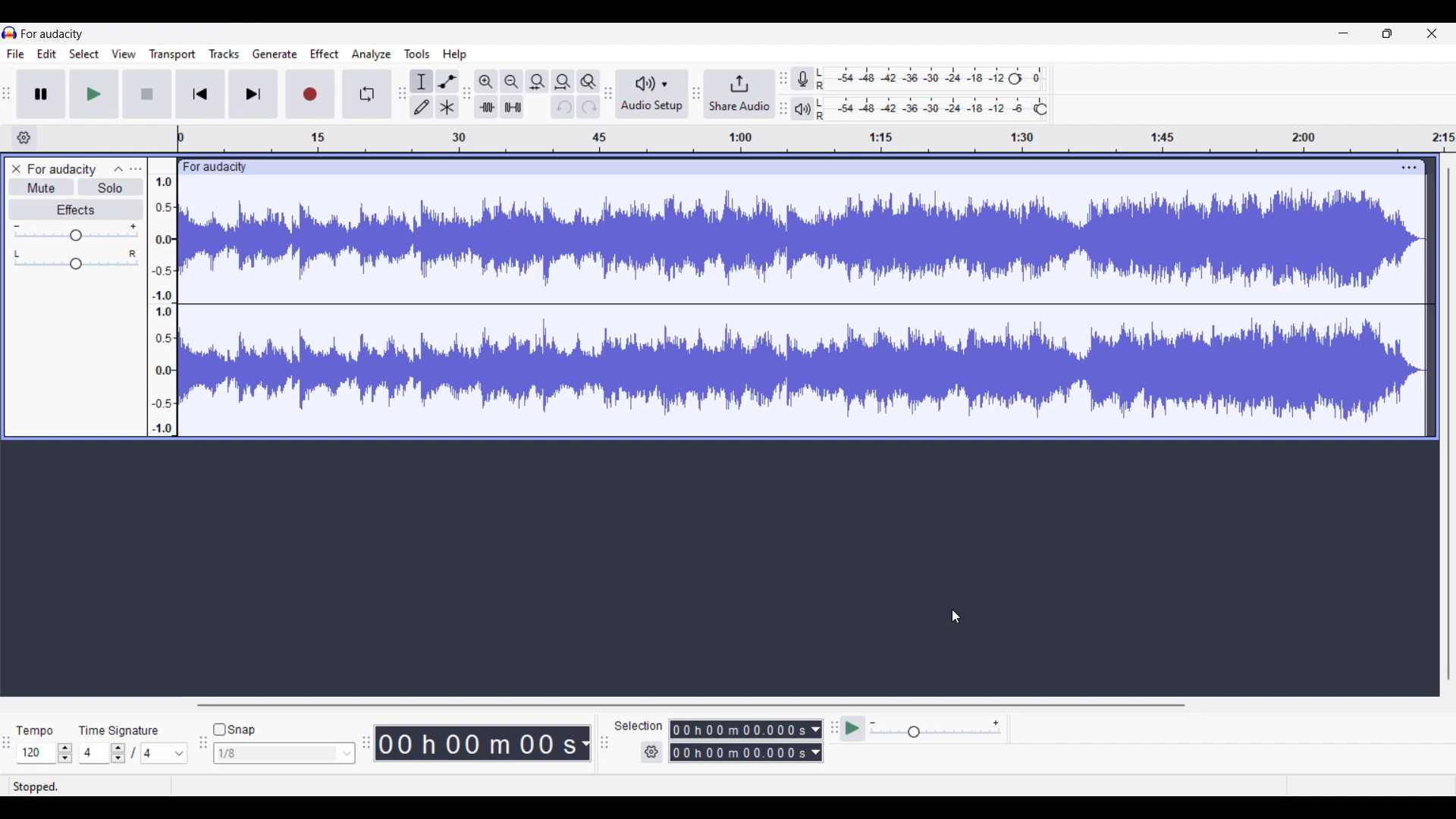 The width and height of the screenshot is (1456, 819). I want to click on Pan to left, so click(17, 254).